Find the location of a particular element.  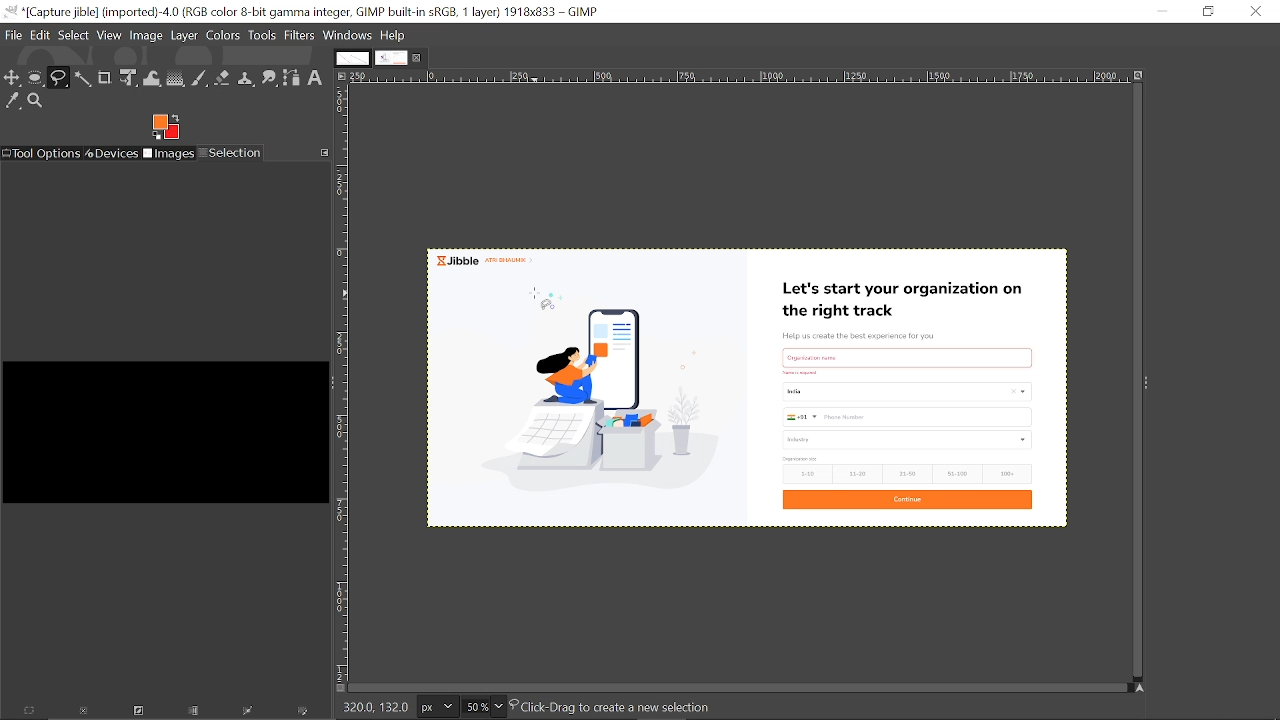

Paint along the selection outline is located at coordinates (304, 713).